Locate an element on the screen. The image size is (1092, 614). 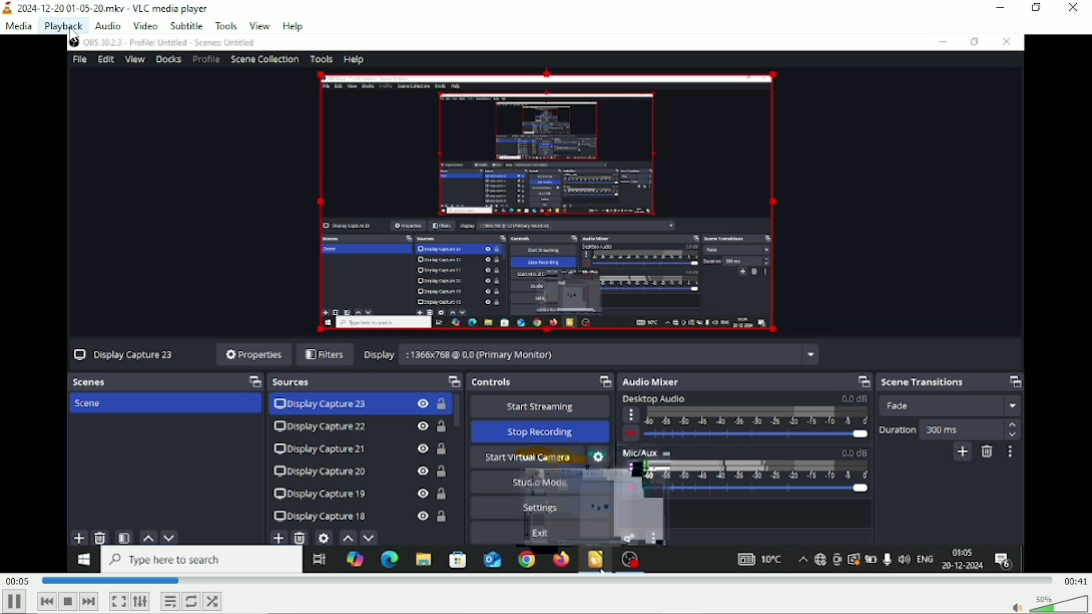
Random is located at coordinates (212, 601).